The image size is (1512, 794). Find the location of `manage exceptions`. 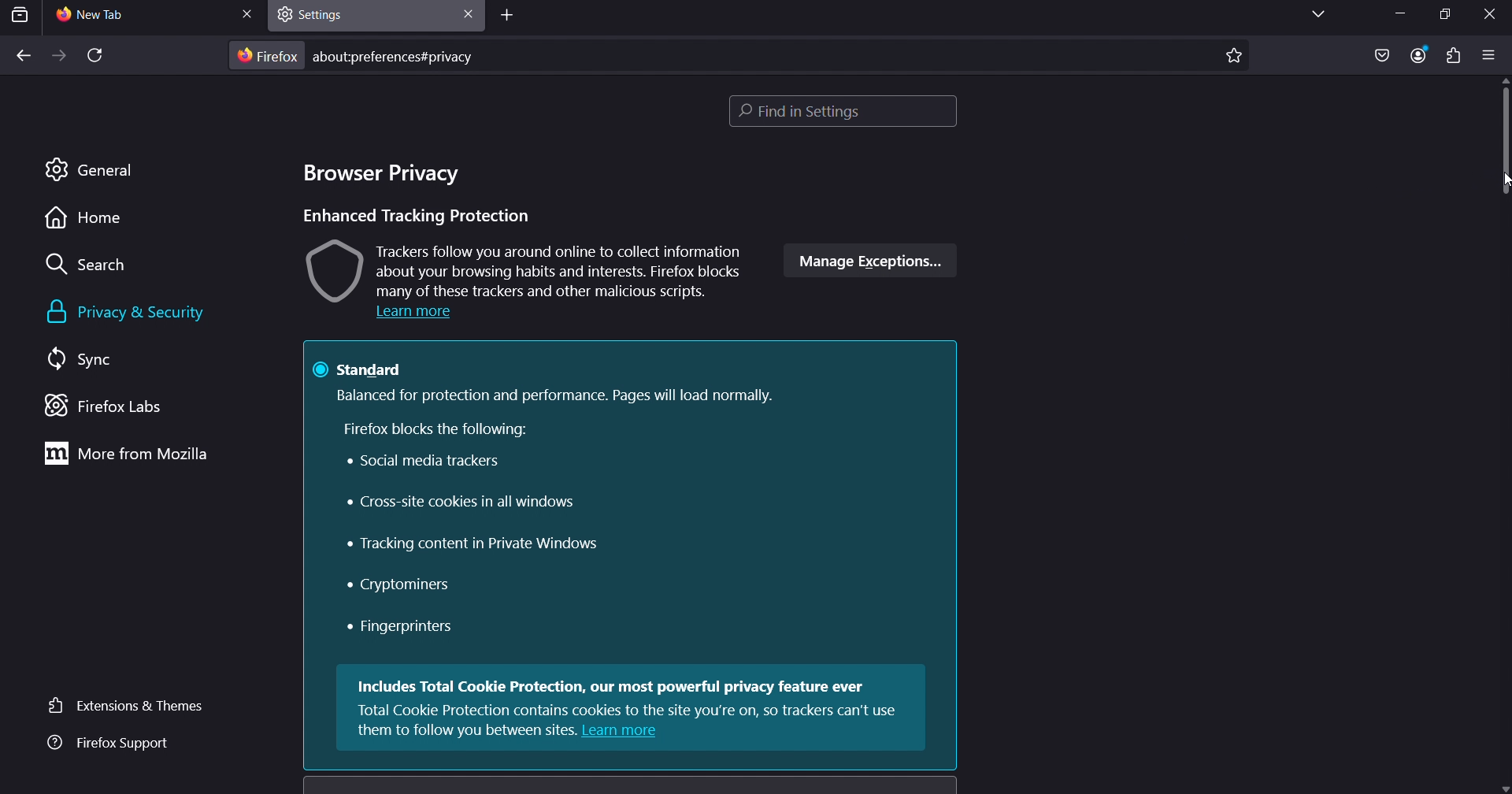

manage exceptions is located at coordinates (869, 262).